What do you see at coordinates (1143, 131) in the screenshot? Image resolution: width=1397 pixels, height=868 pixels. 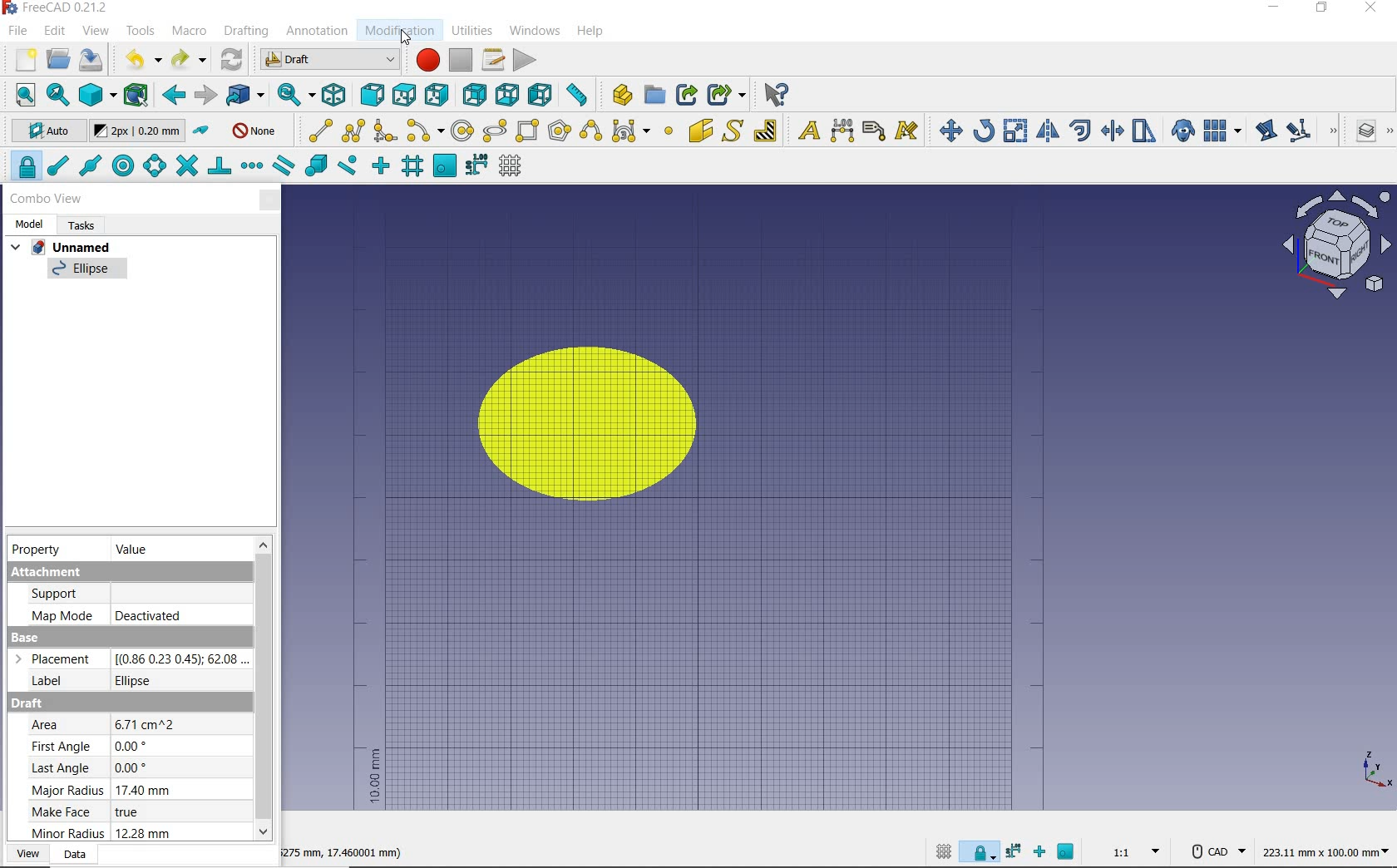 I see `stretch` at bounding box center [1143, 131].